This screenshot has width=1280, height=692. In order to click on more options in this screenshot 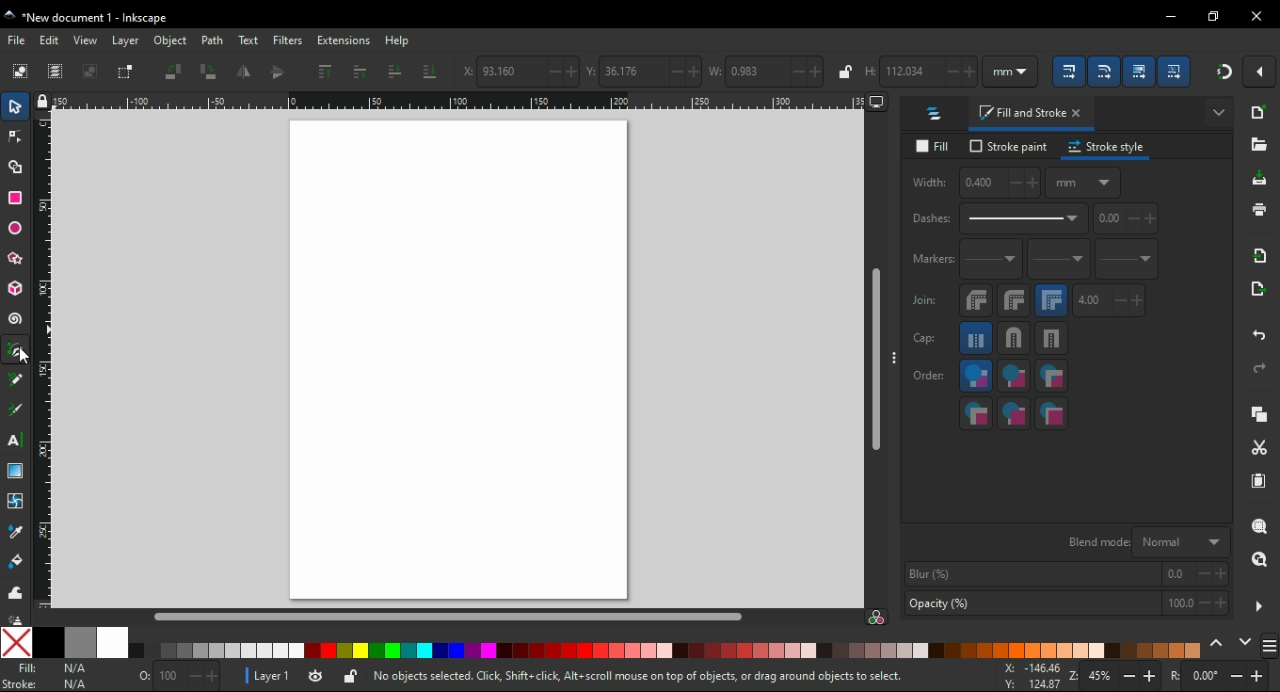, I will do `click(1220, 111)`.